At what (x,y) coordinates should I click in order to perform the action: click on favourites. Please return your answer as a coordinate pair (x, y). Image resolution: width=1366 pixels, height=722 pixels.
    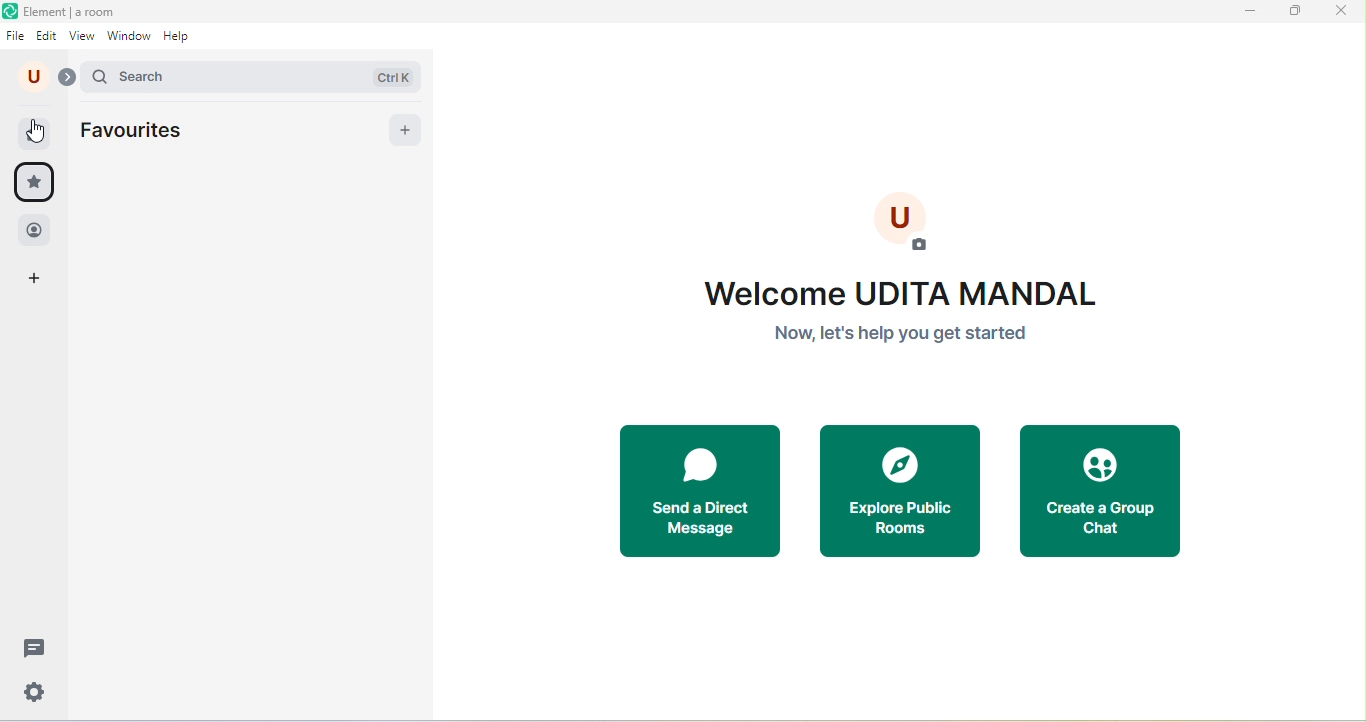
    Looking at the image, I should click on (152, 131).